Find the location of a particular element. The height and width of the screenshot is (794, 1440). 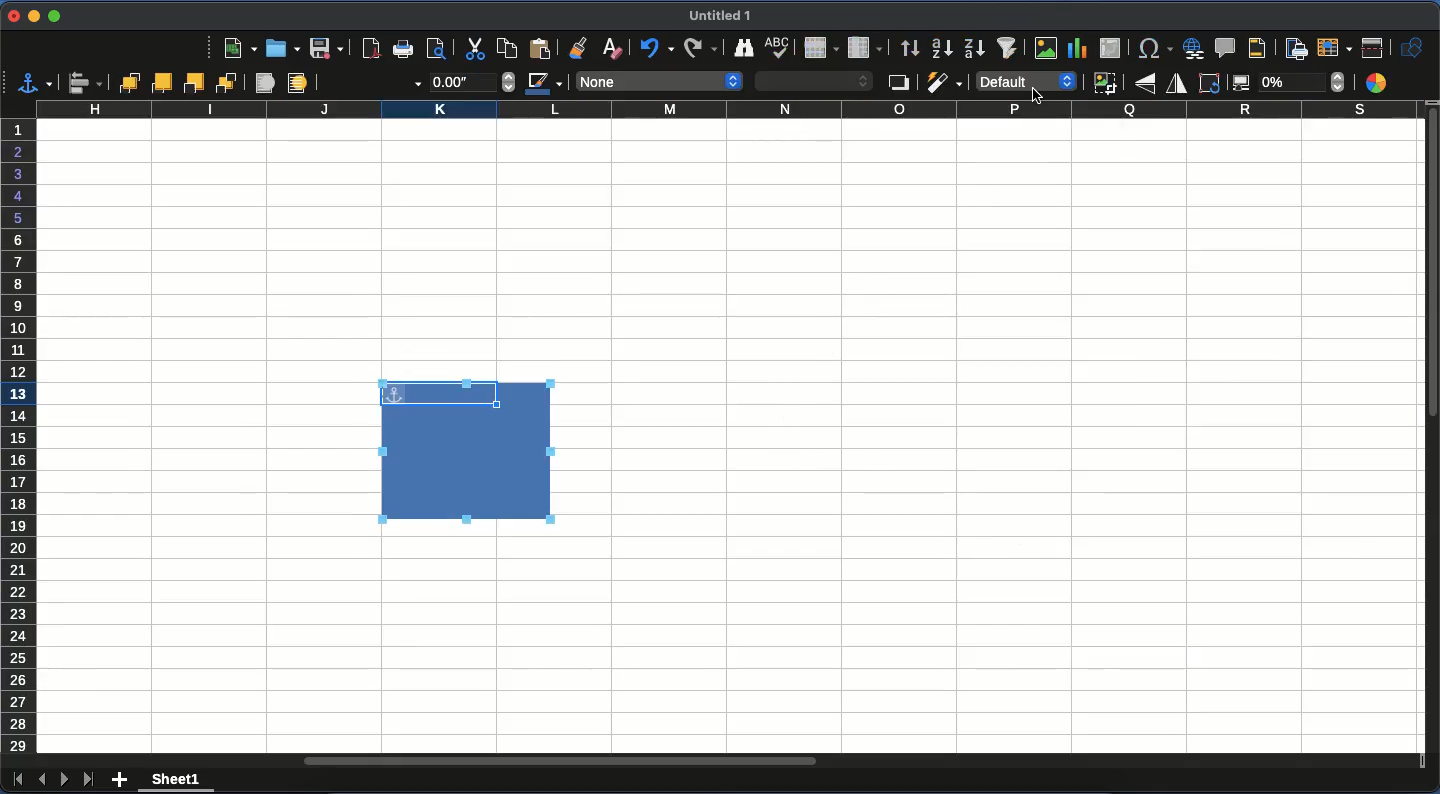

default is located at coordinates (1023, 82).